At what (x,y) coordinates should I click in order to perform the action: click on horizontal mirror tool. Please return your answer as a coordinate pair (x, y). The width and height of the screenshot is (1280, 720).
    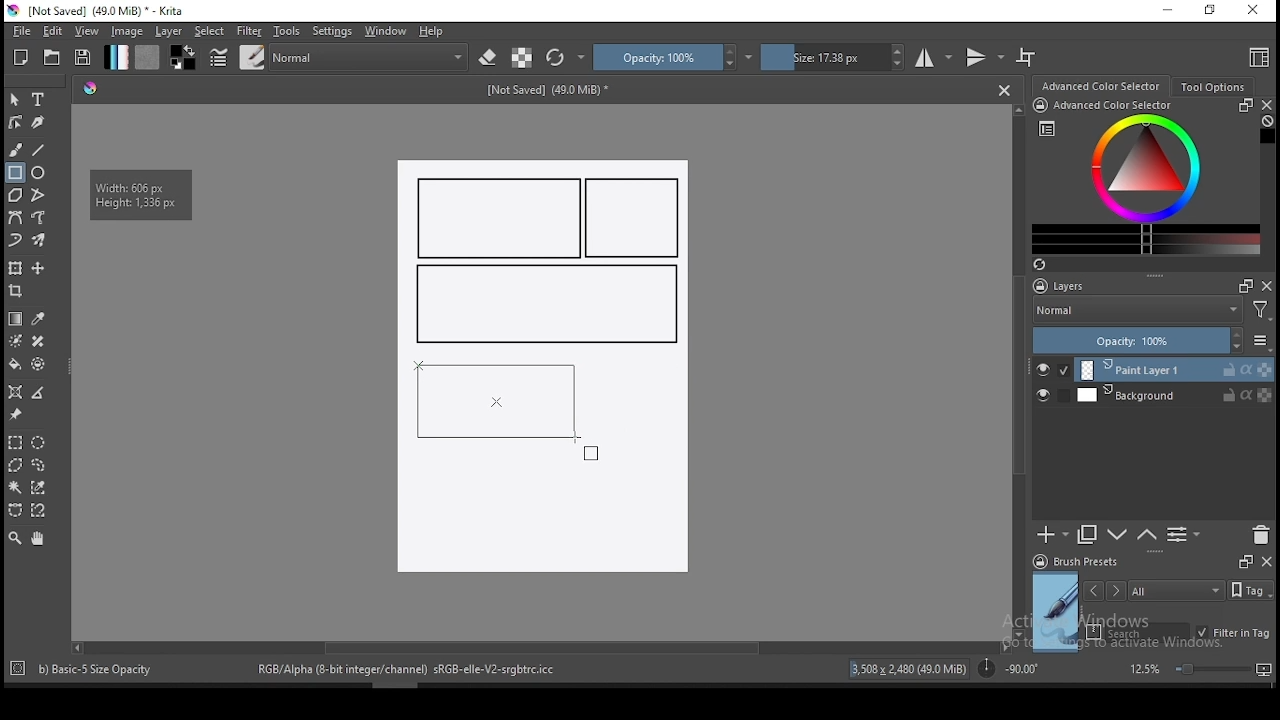
    Looking at the image, I should click on (934, 57).